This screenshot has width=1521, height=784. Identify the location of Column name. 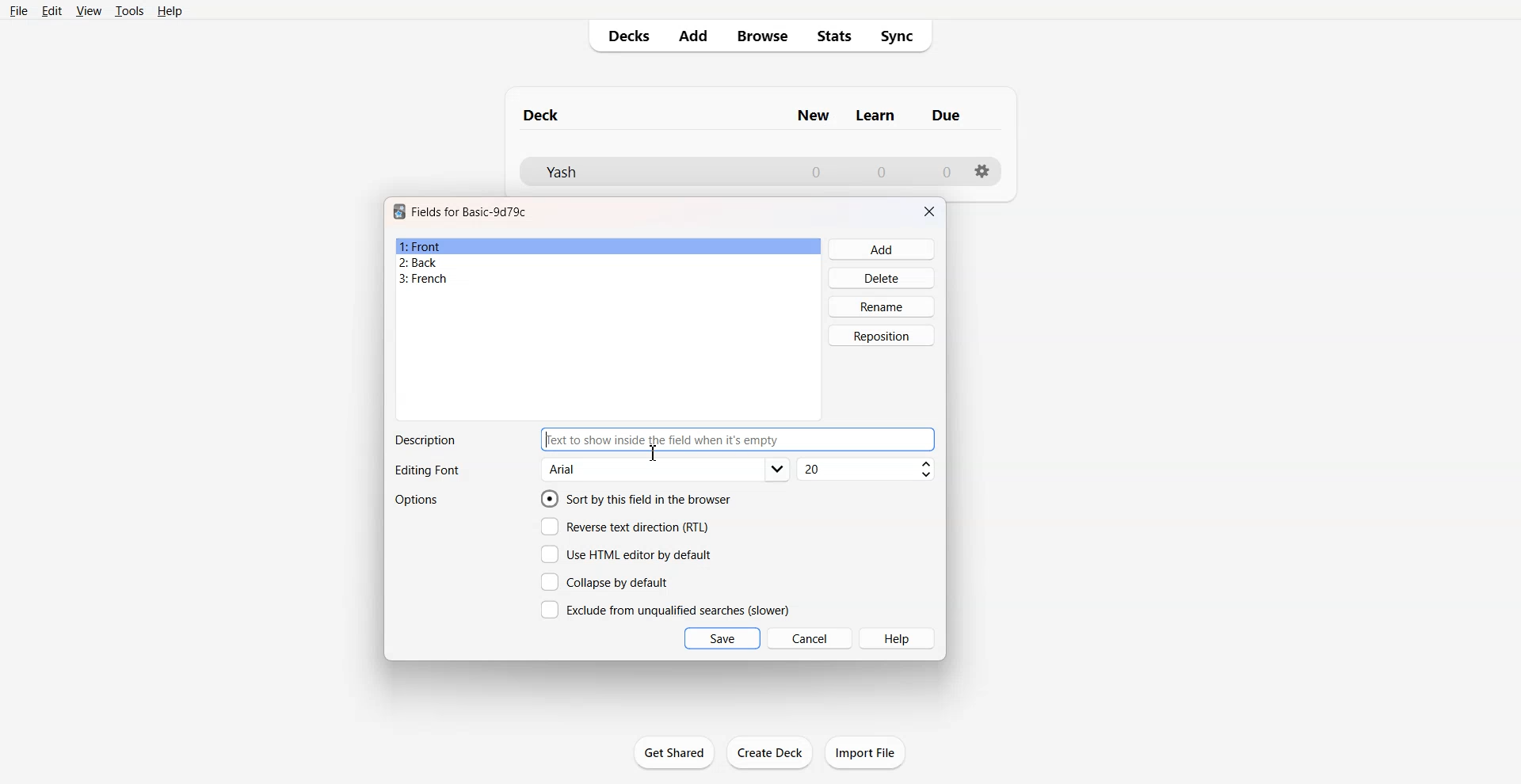
(813, 116).